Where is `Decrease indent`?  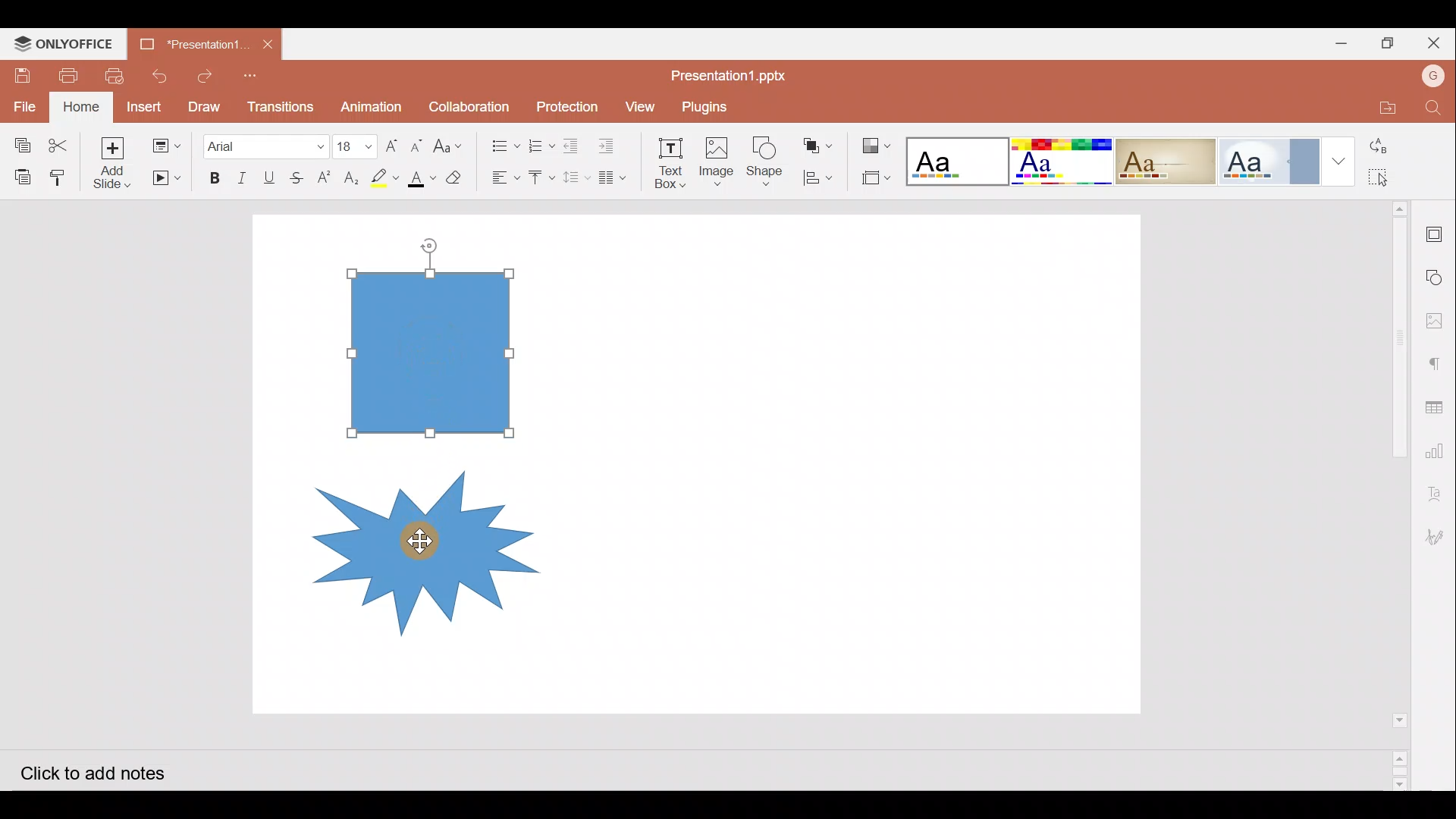 Decrease indent is located at coordinates (573, 143).